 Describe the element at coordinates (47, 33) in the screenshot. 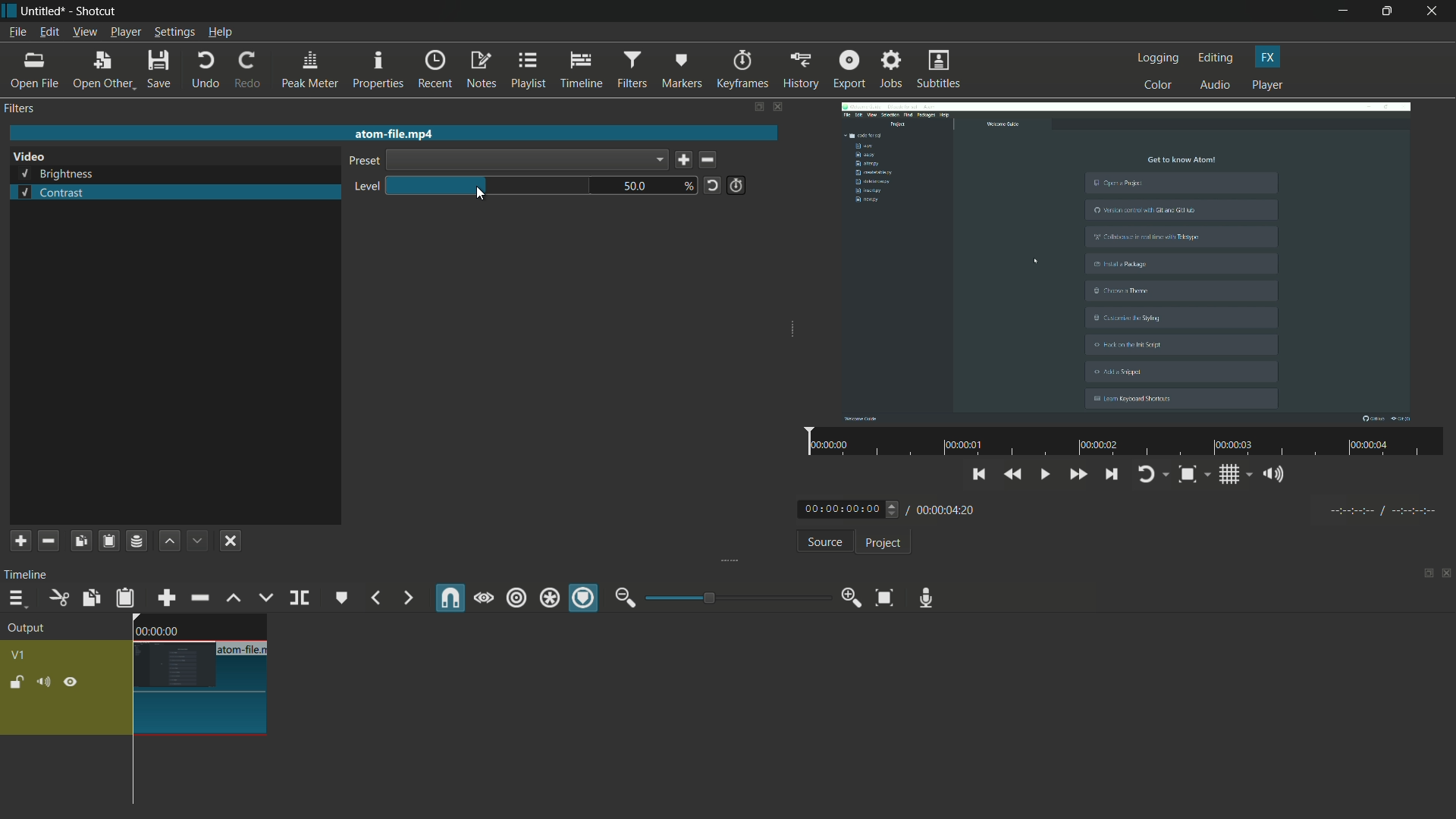

I see `edit menu` at that location.